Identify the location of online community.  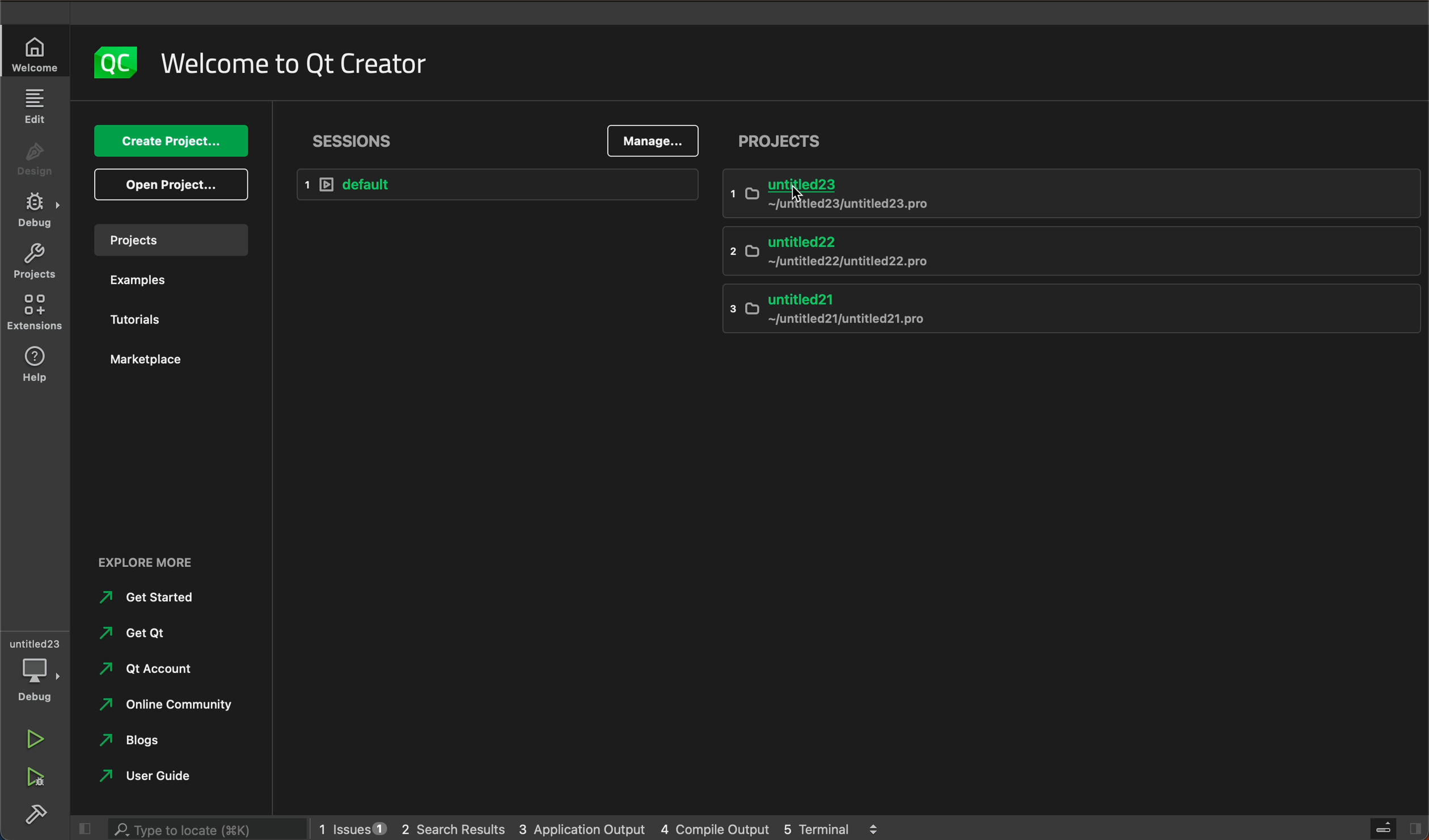
(170, 704).